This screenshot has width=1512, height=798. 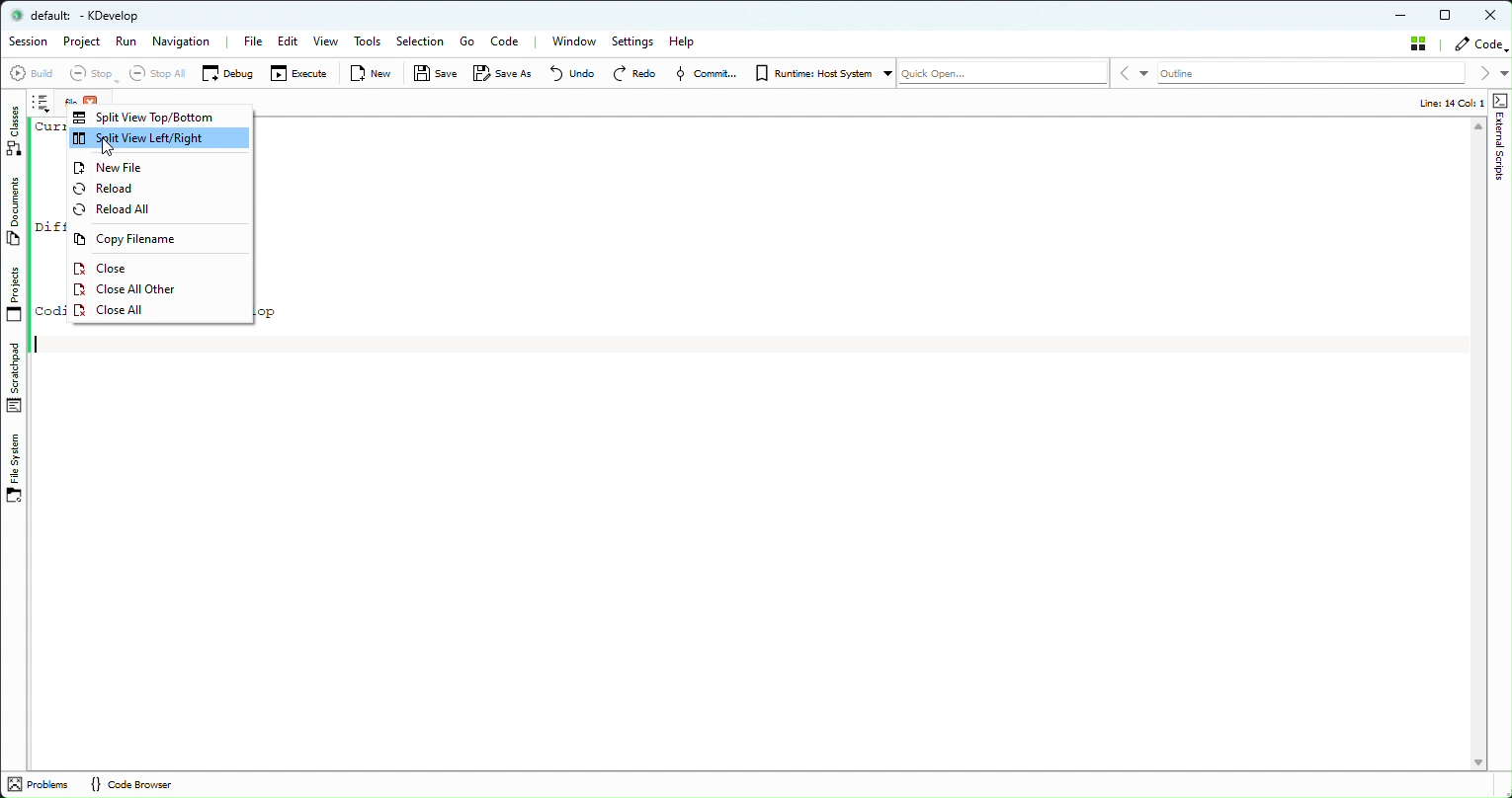 I want to click on Code, so click(x=505, y=41).